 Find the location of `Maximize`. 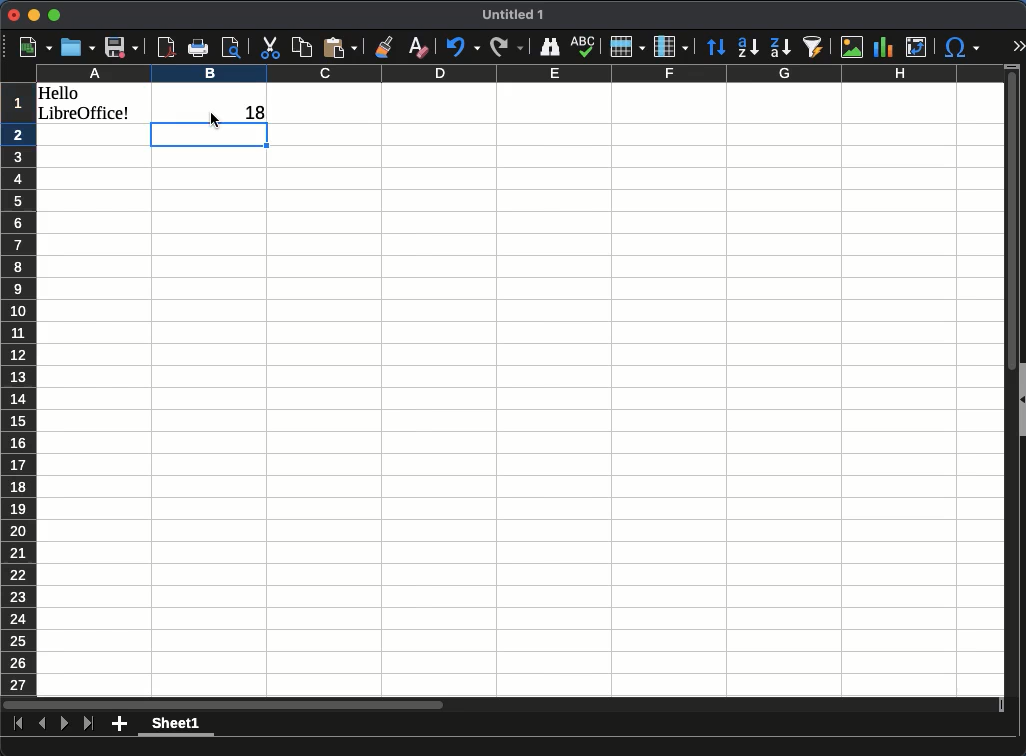

Maximize is located at coordinates (54, 16).